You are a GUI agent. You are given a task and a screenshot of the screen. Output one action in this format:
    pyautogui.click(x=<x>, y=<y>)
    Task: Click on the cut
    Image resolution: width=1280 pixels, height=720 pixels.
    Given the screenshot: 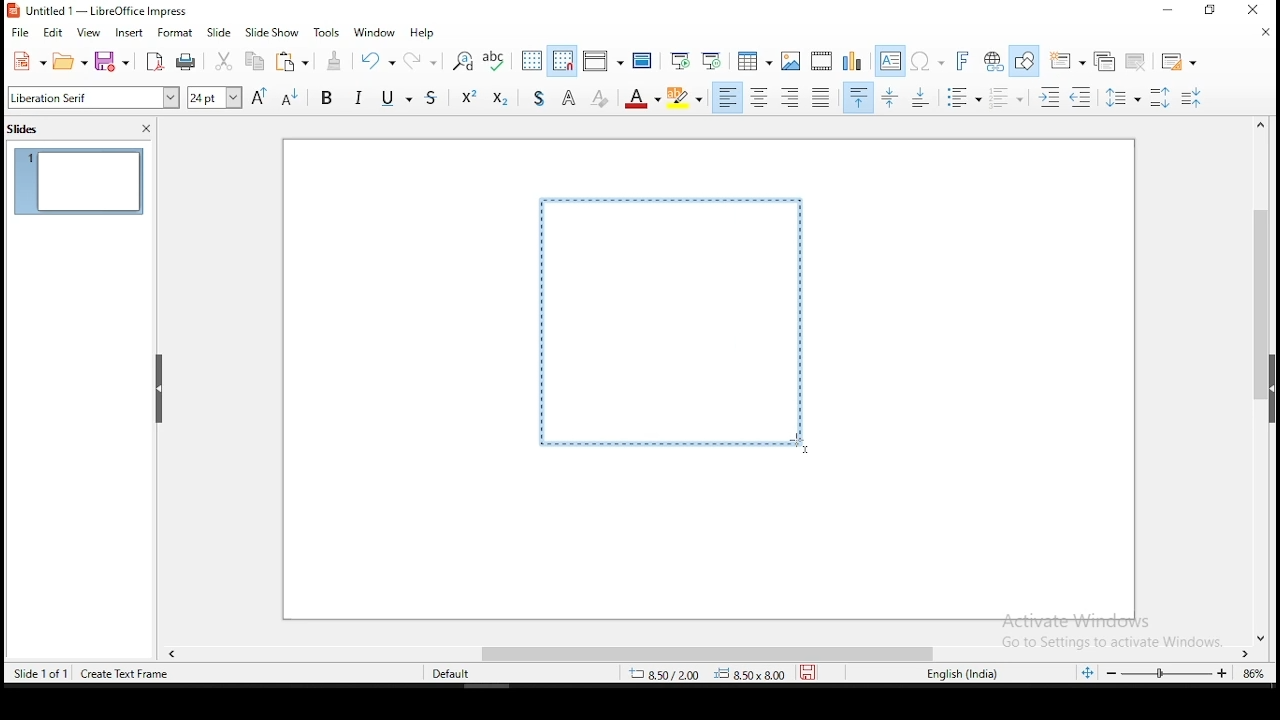 What is the action you would take?
    pyautogui.click(x=224, y=61)
    